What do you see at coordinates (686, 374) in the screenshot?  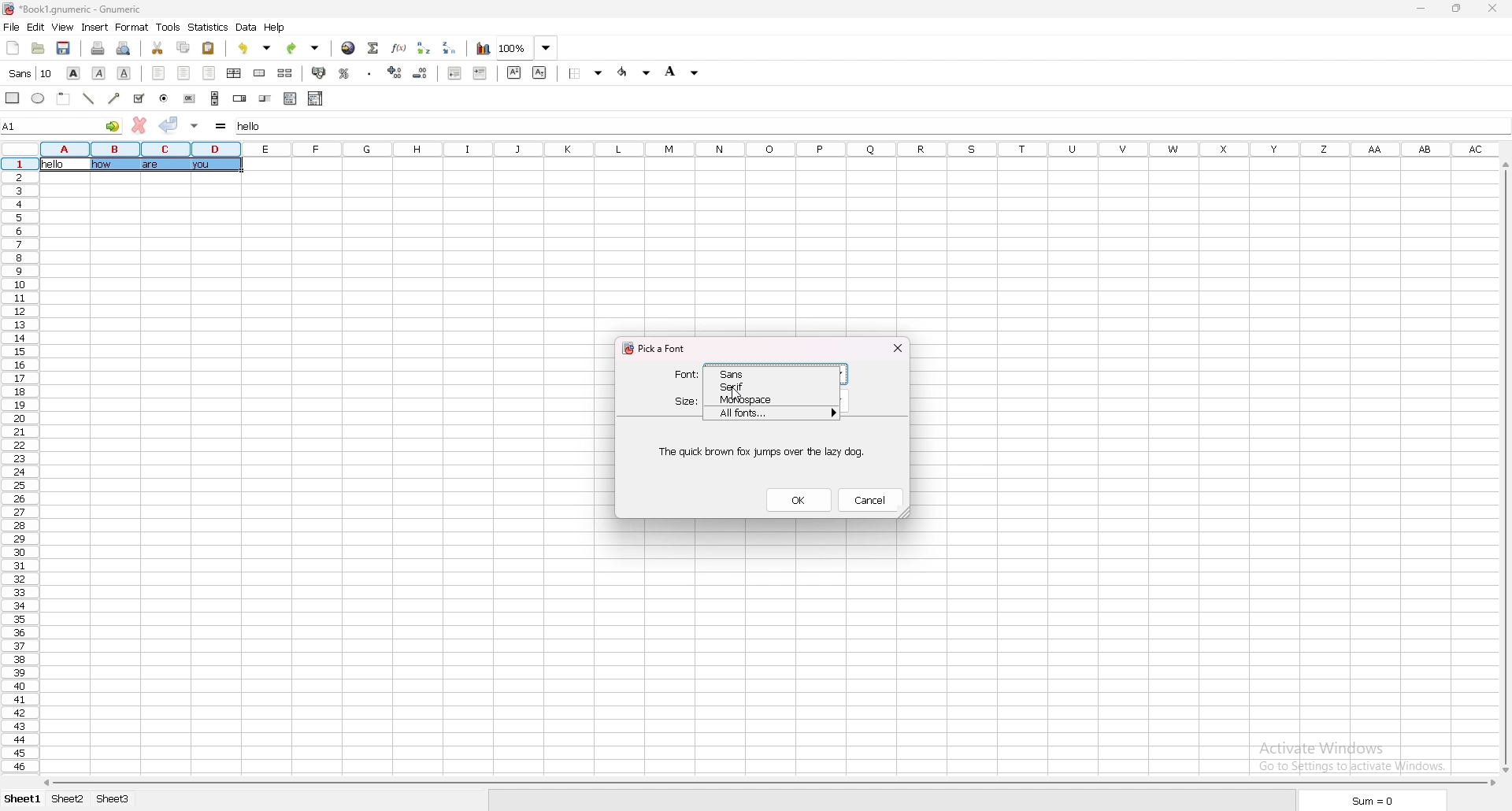 I see `font` at bounding box center [686, 374].